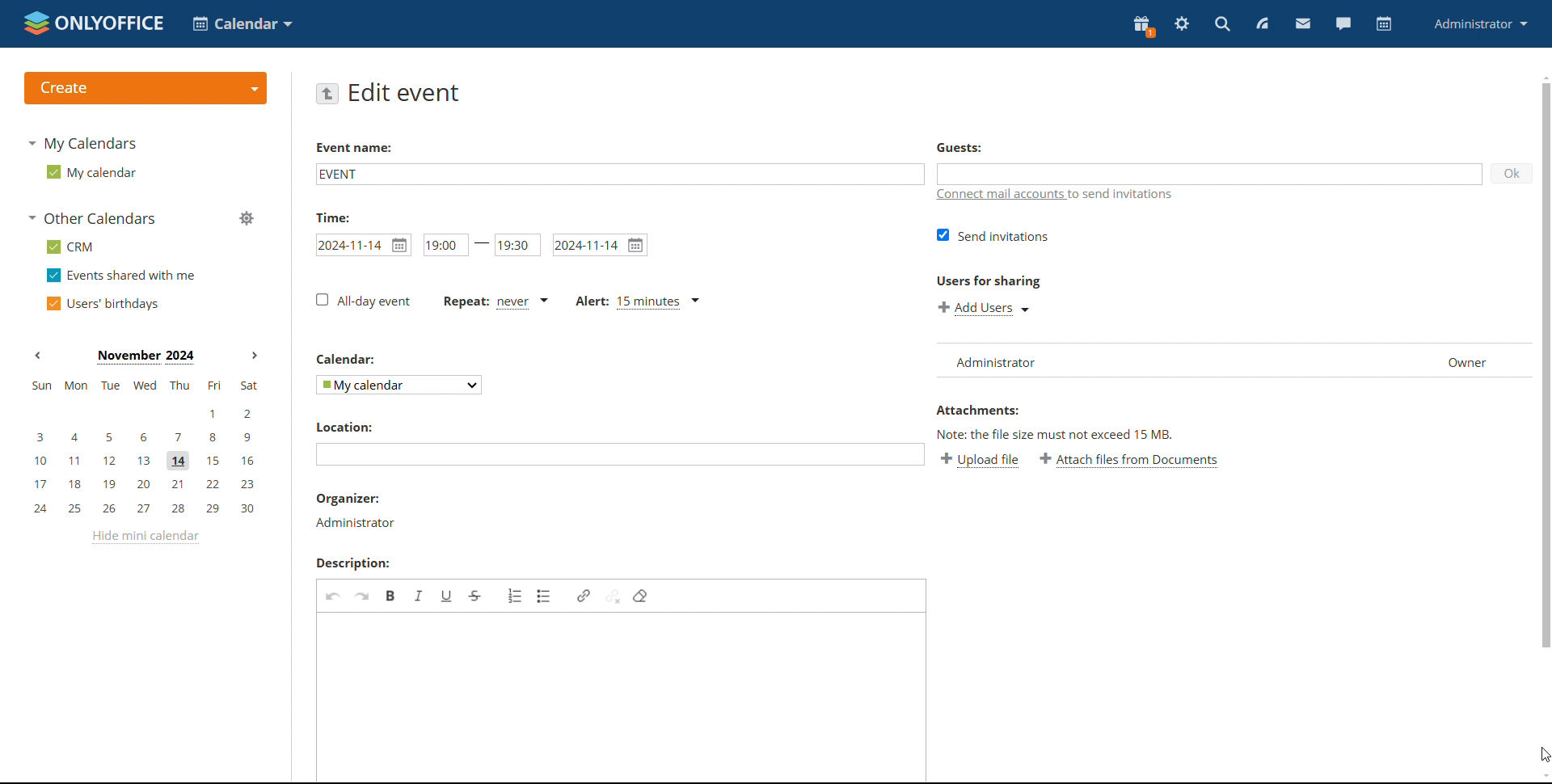 The width and height of the screenshot is (1552, 784). Describe the element at coordinates (620, 455) in the screenshot. I see `add location` at that location.